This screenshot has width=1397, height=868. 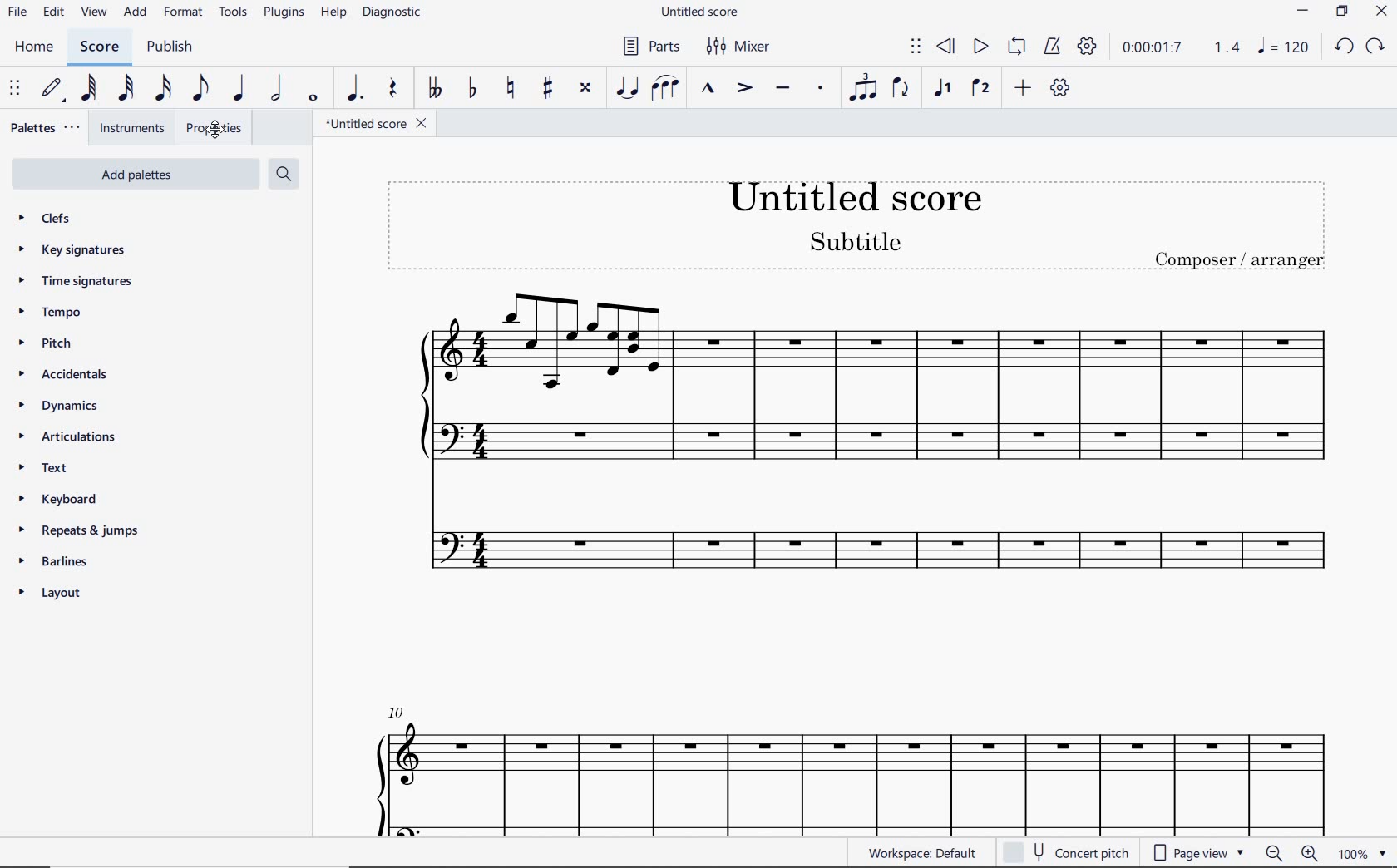 What do you see at coordinates (1340, 12) in the screenshot?
I see `RESTORE DOWN` at bounding box center [1340, 12].